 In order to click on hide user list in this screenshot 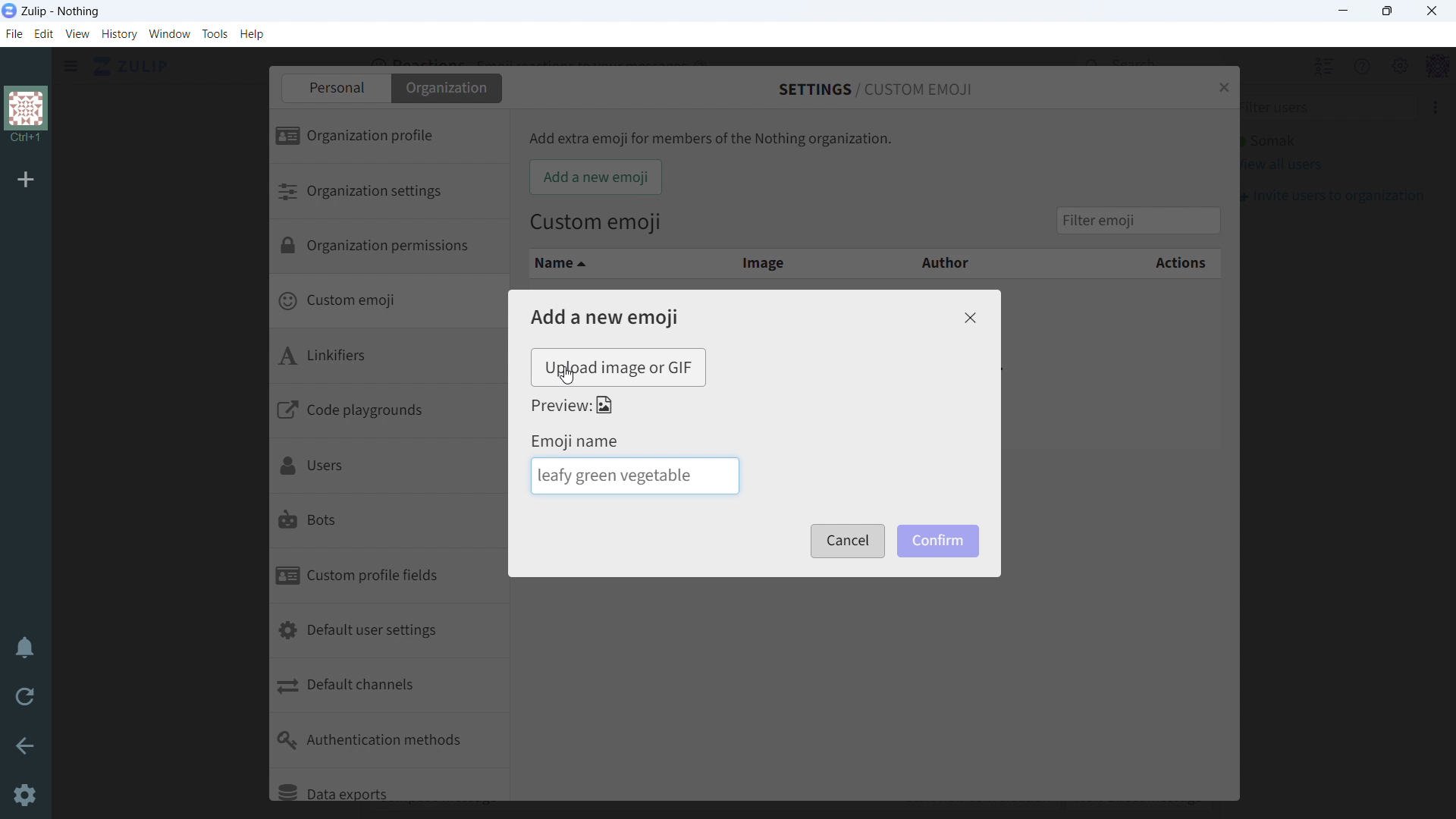, I will do `click(1307, 65)`.